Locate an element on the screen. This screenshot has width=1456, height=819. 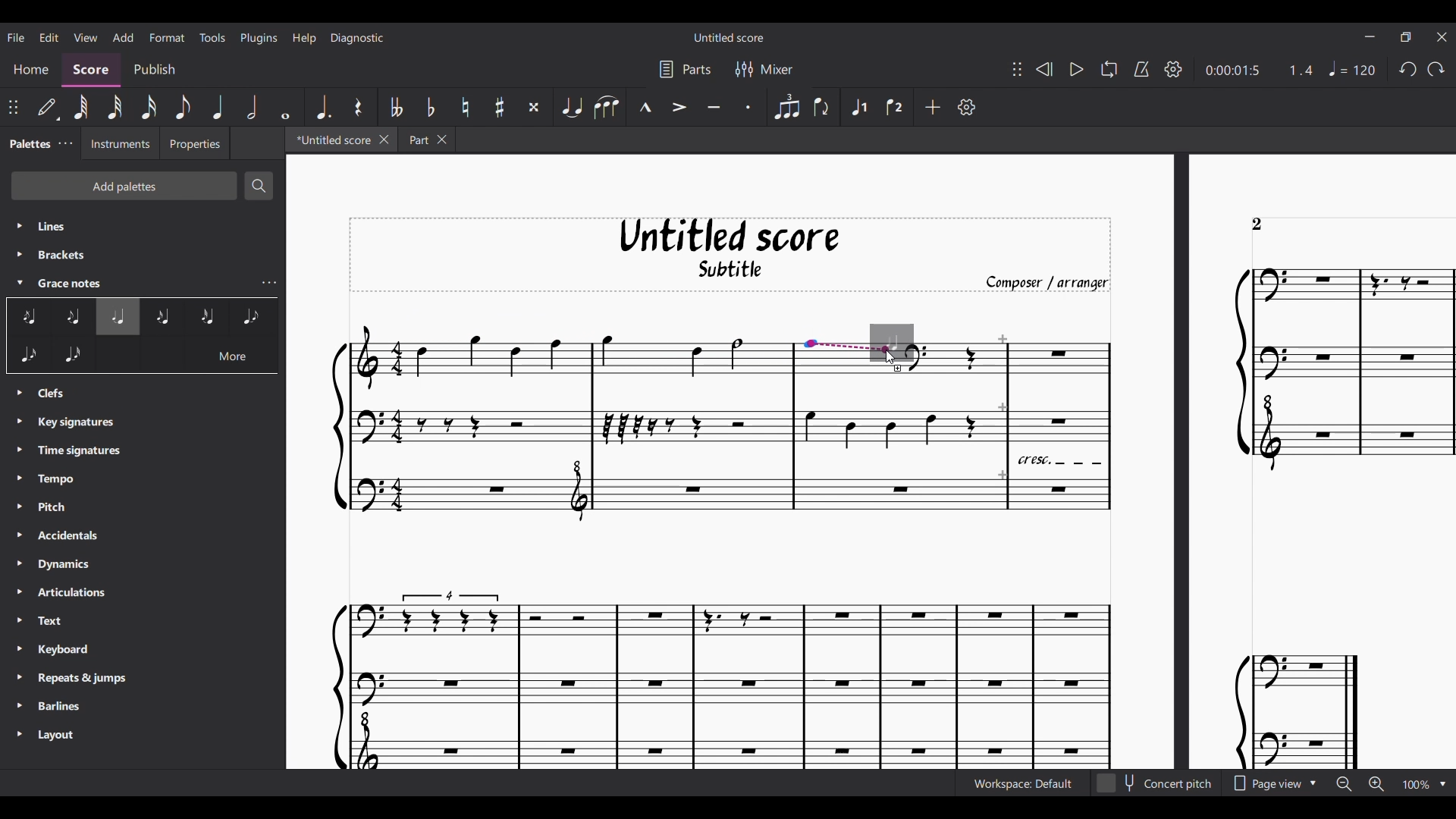
Toggle double sharp is located at coordinates (534, 108).